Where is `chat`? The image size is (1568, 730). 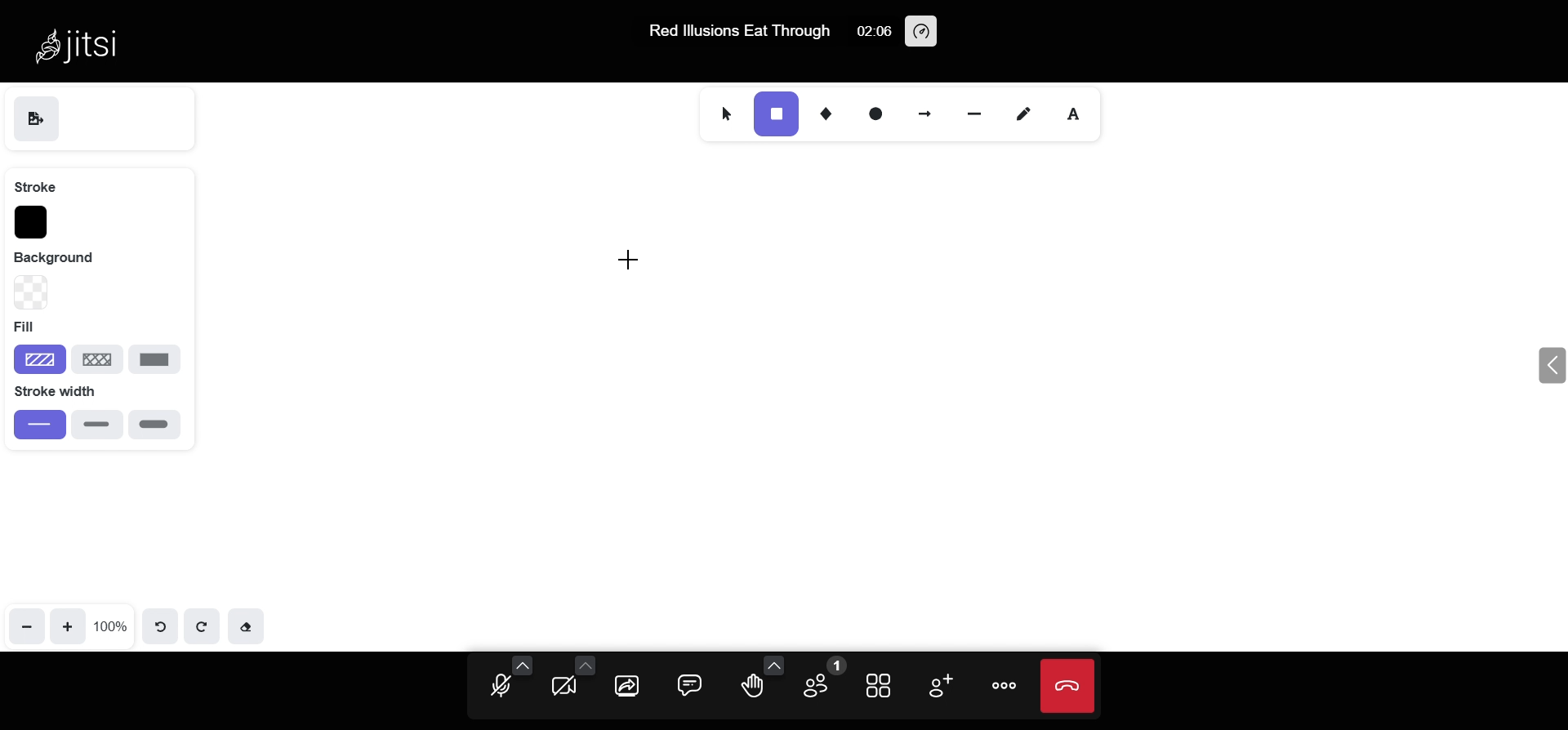
chat is located at coordinates (690, 683).